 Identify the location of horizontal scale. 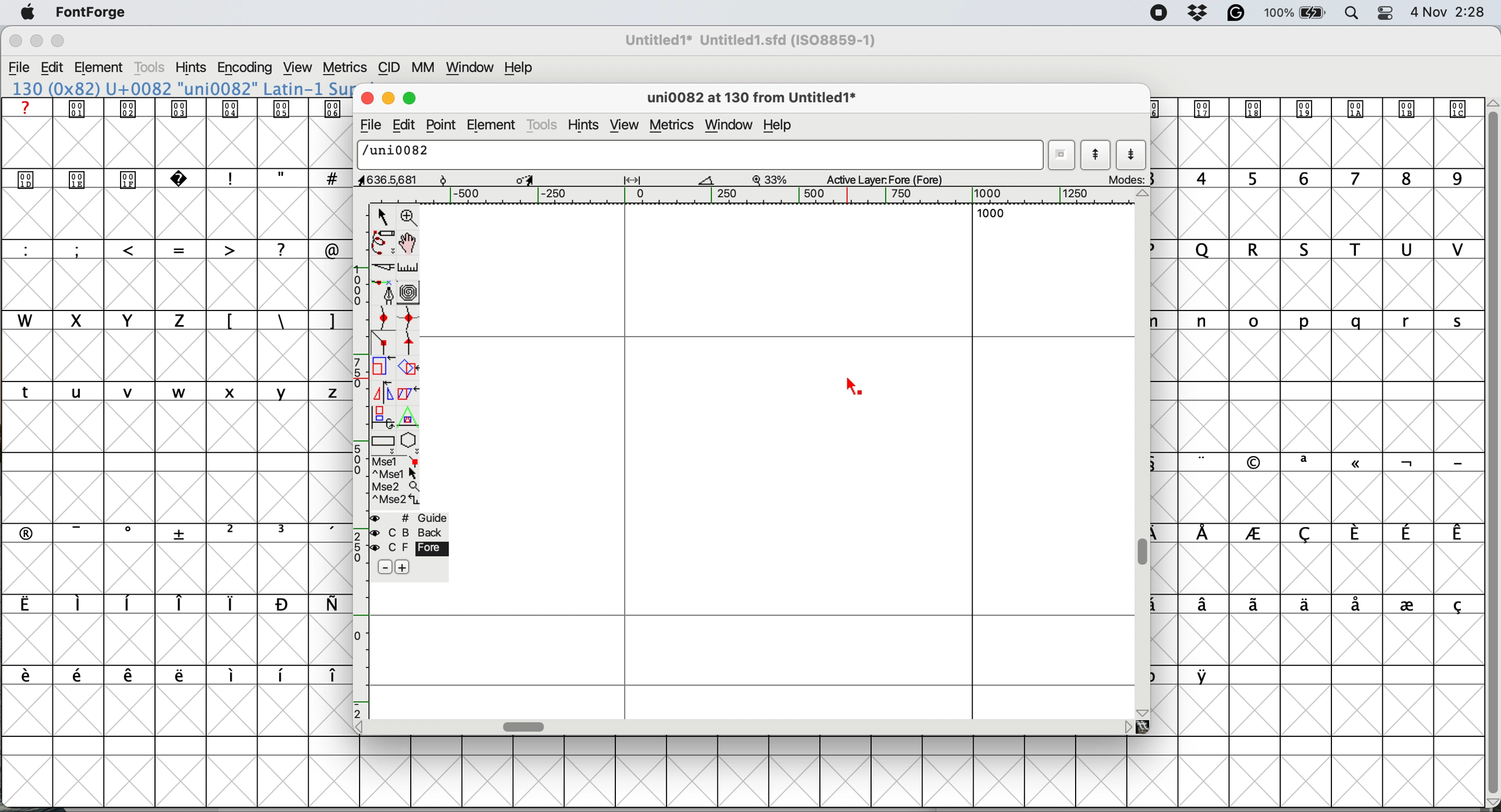
(769, 196).